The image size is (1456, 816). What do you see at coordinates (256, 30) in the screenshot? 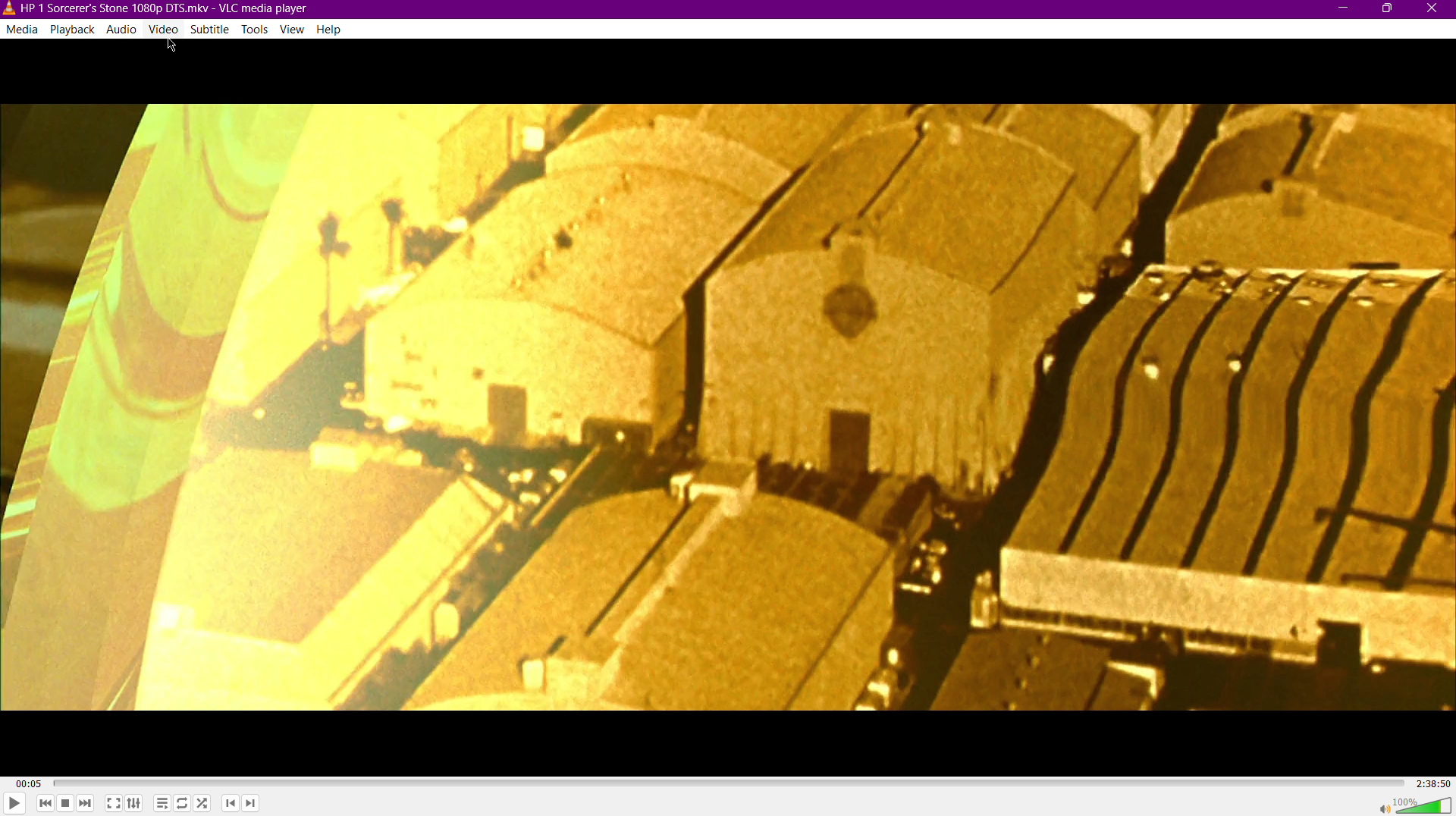
I see `Tools` at bounding box center [256, 30].